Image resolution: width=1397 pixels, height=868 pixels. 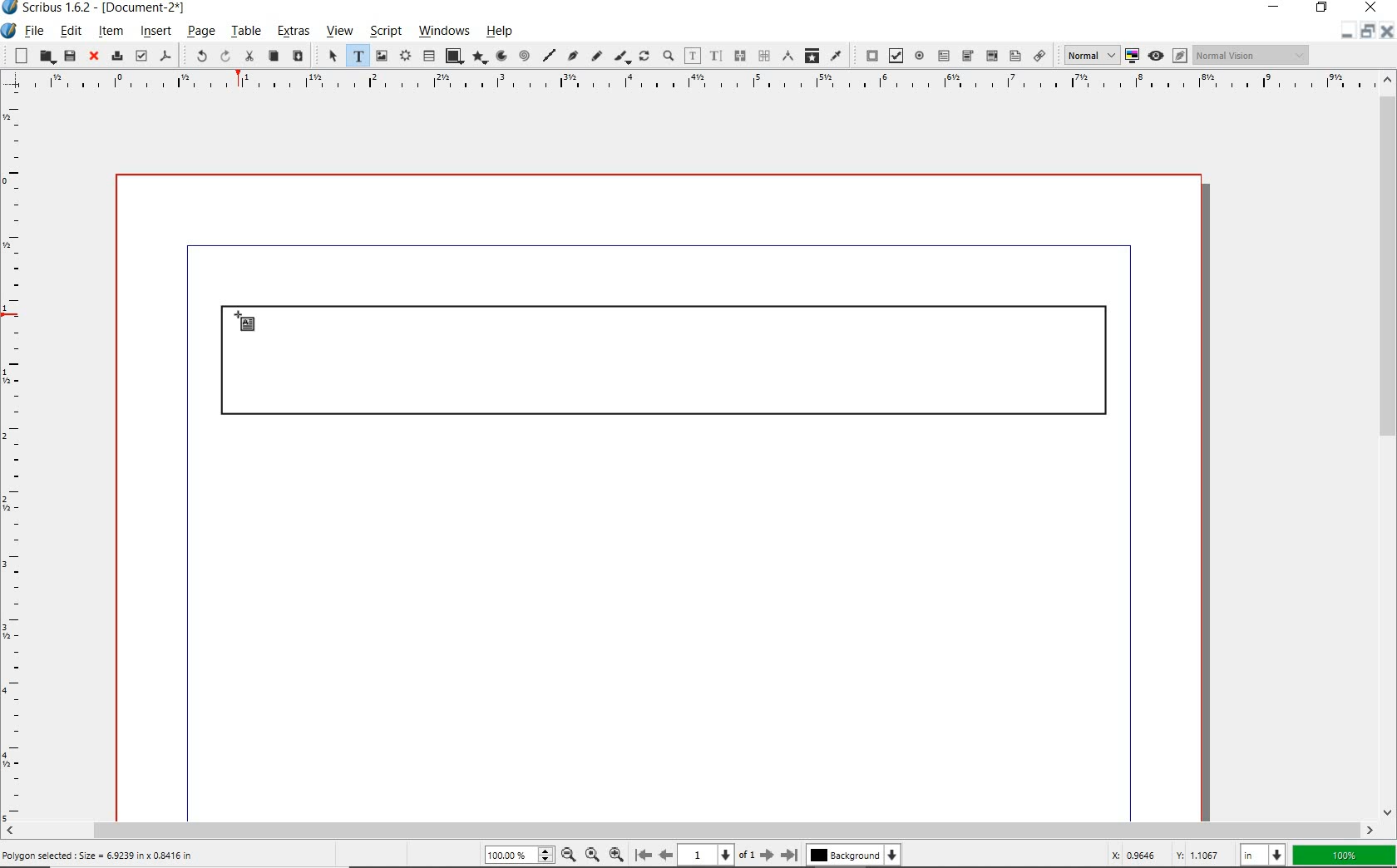 I want to click on cut, so click(x=249, y=57).